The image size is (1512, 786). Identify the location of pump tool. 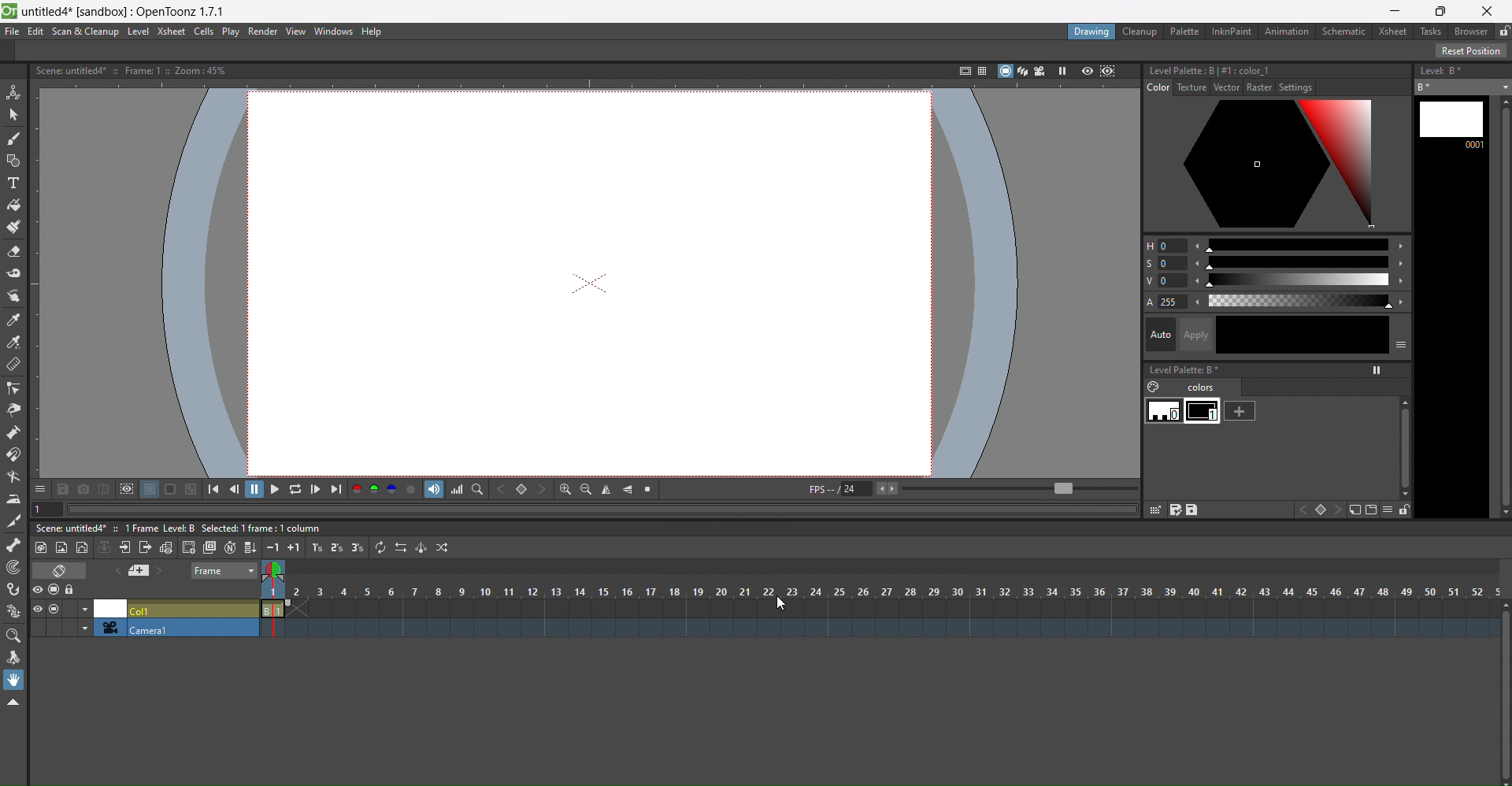
(12, 432).